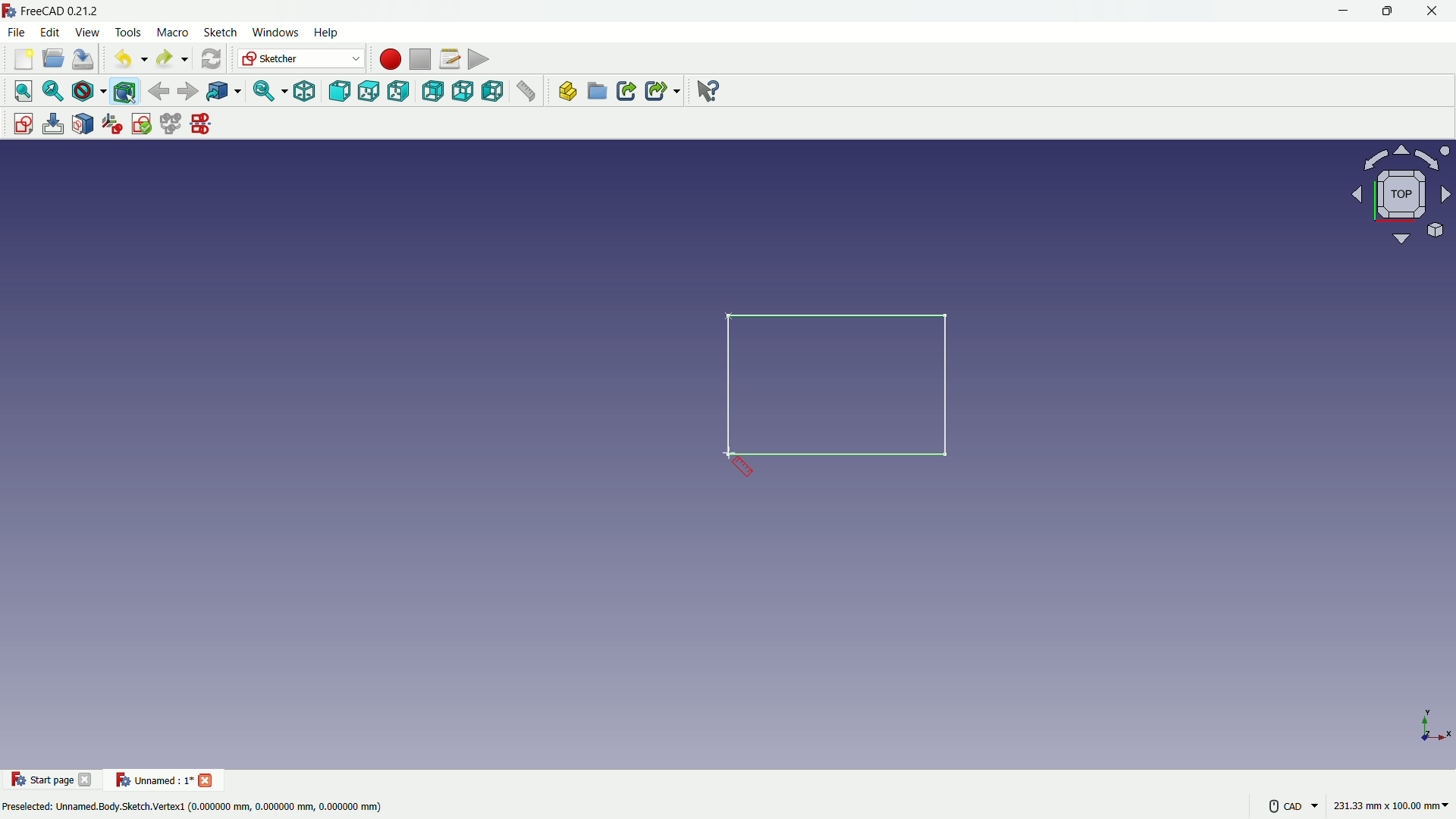 The height and width of the screenshot is (819, 1456). What do you see at coordinates (21, 62) in the screenshot?
I see `new file` at bounding box center [21, 62].